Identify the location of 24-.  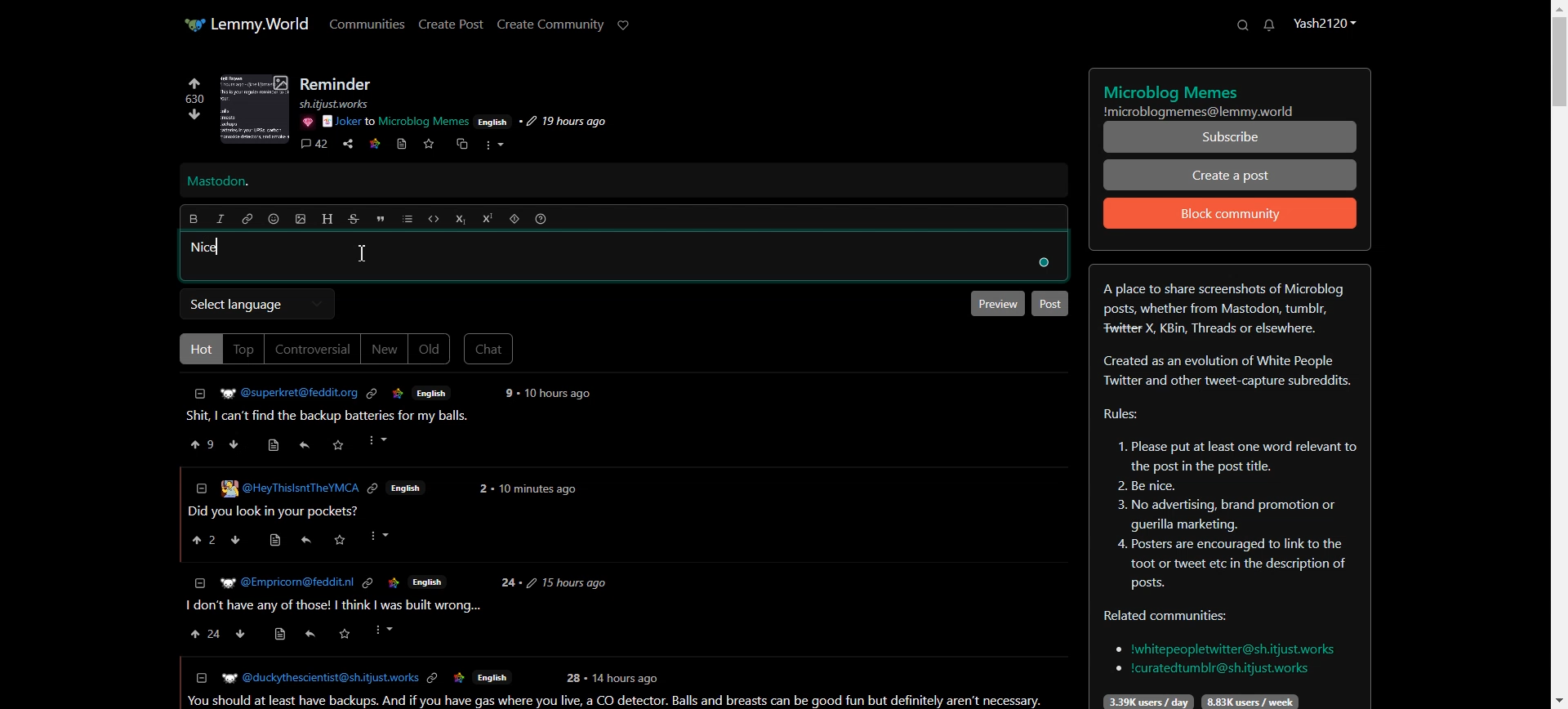
(508, 583).